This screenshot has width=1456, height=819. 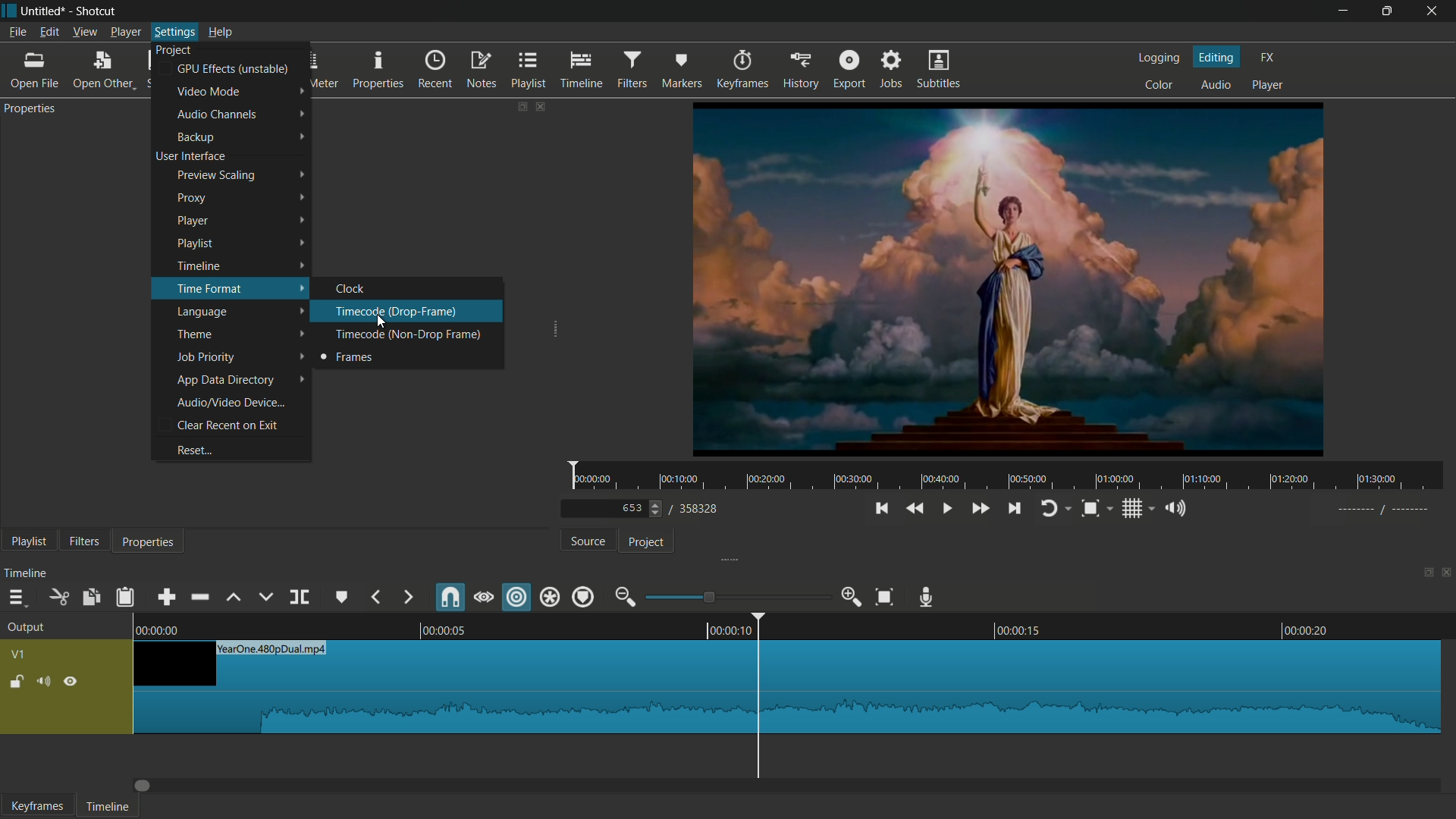 I want to click on help menu, so click(x=221, y=33).